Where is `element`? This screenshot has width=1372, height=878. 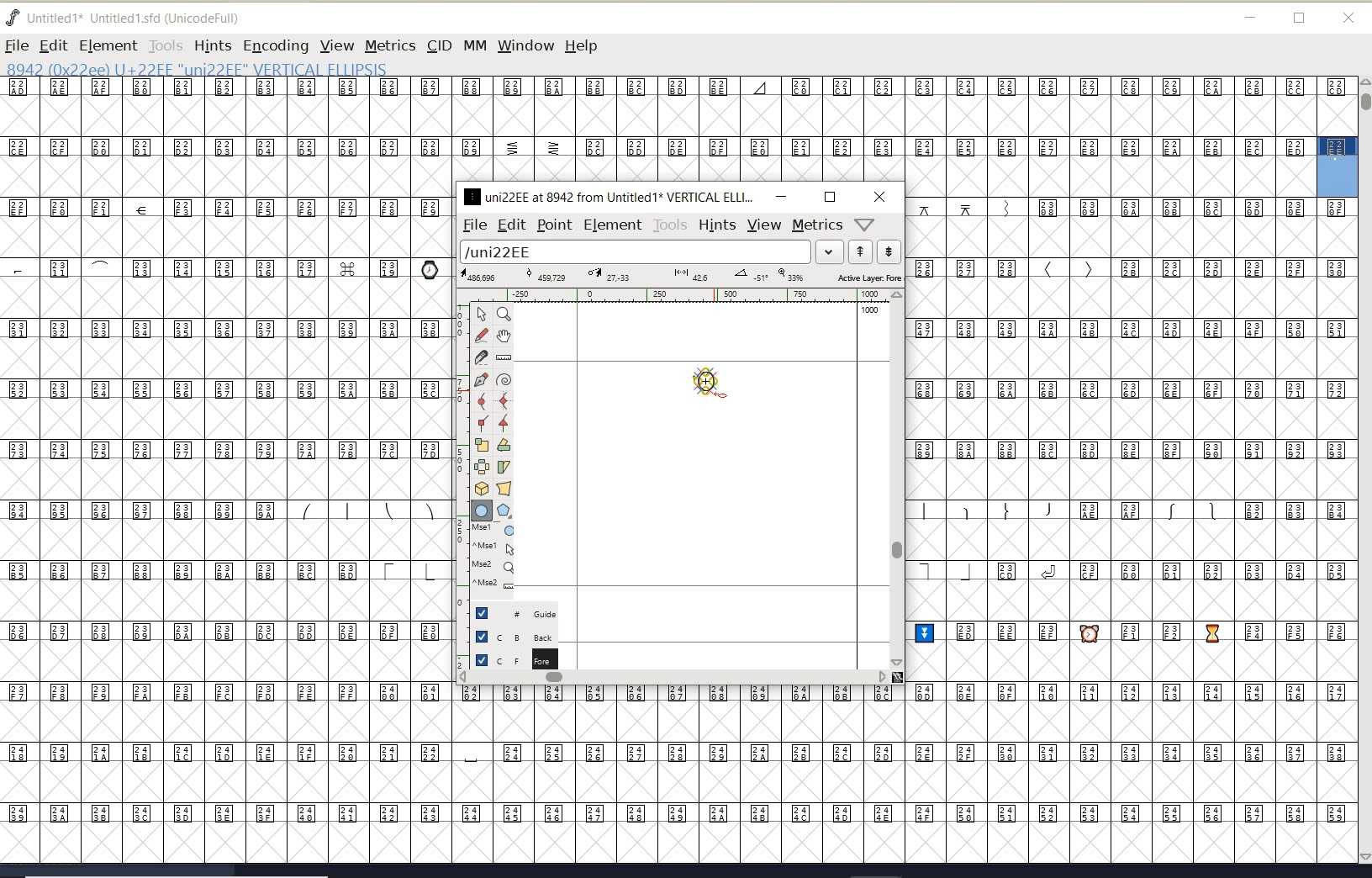
element is located at coordinates (613, 225).